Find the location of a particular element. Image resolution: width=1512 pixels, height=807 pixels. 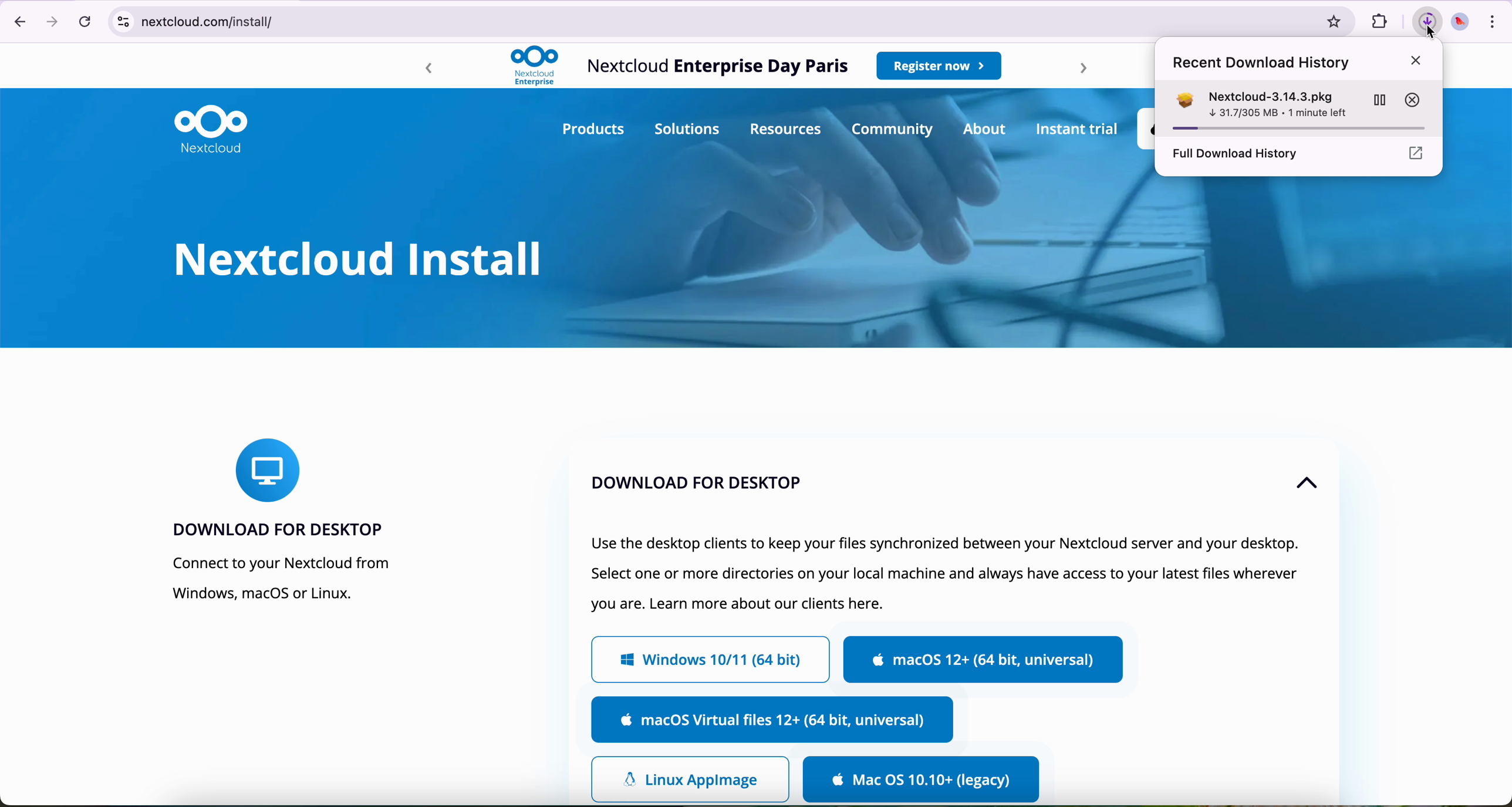

Nextcloud install is located at coordinates (355, 258).